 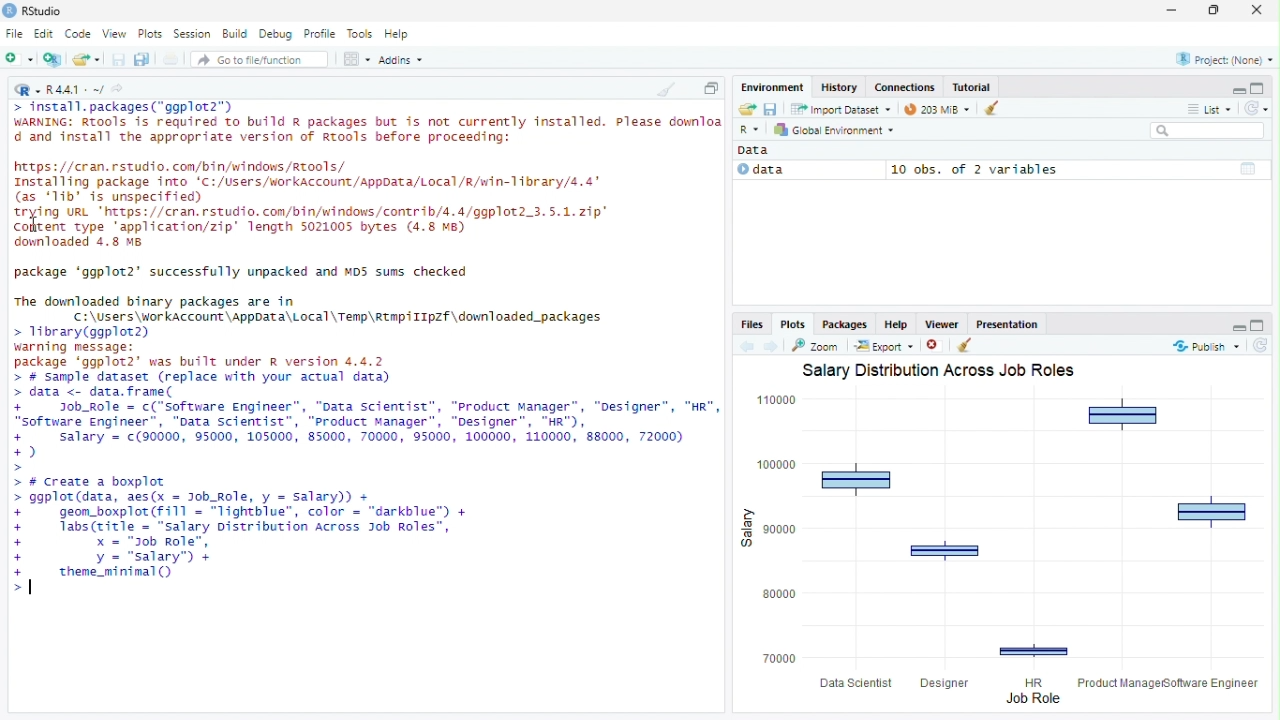 What do you see at coordinates (193, 33) in the screenshot?
I see `Session` at bounding box center [193, 33].